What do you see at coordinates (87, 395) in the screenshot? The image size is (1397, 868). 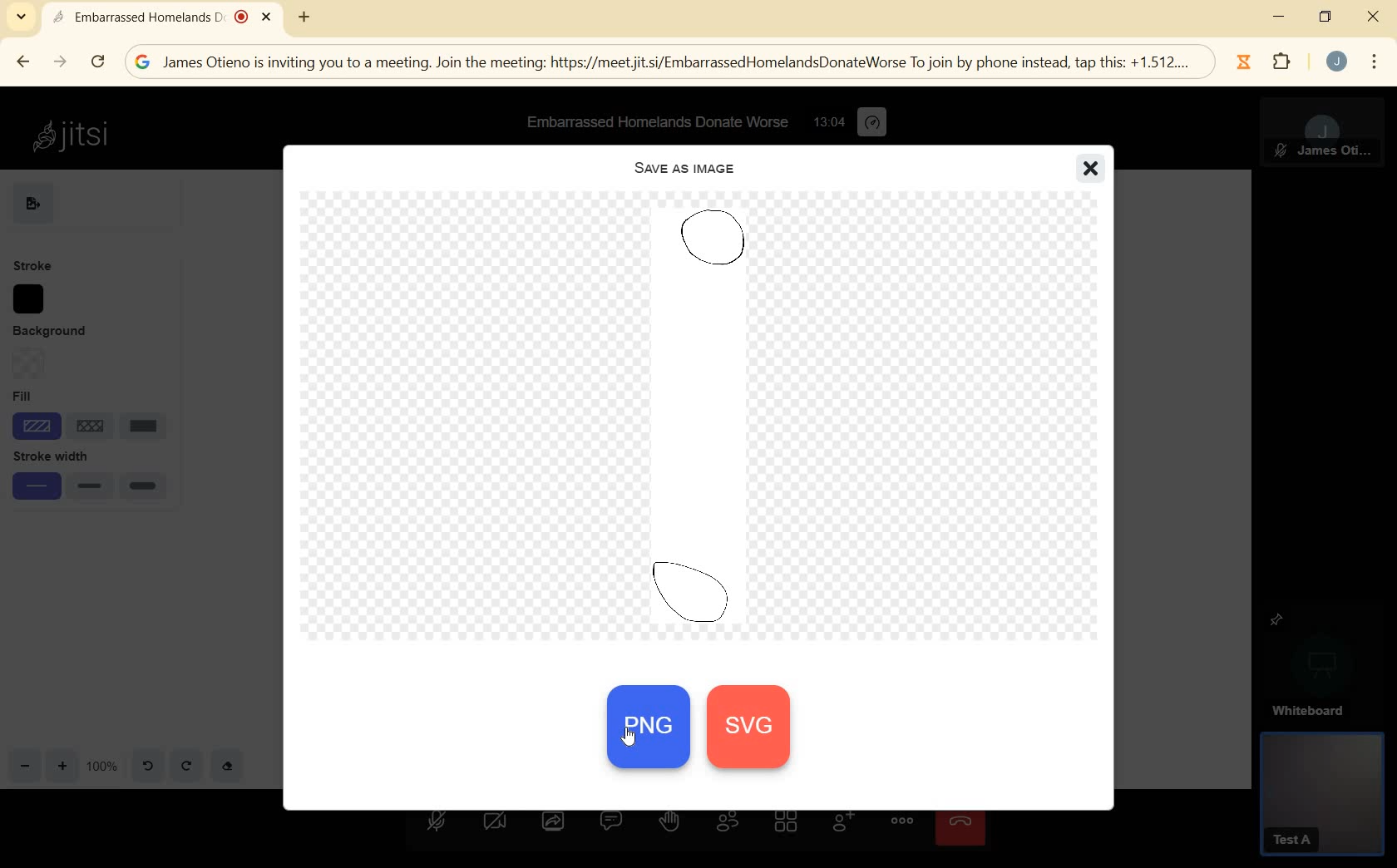 I see `Fill` at bounding box center [87, 395].